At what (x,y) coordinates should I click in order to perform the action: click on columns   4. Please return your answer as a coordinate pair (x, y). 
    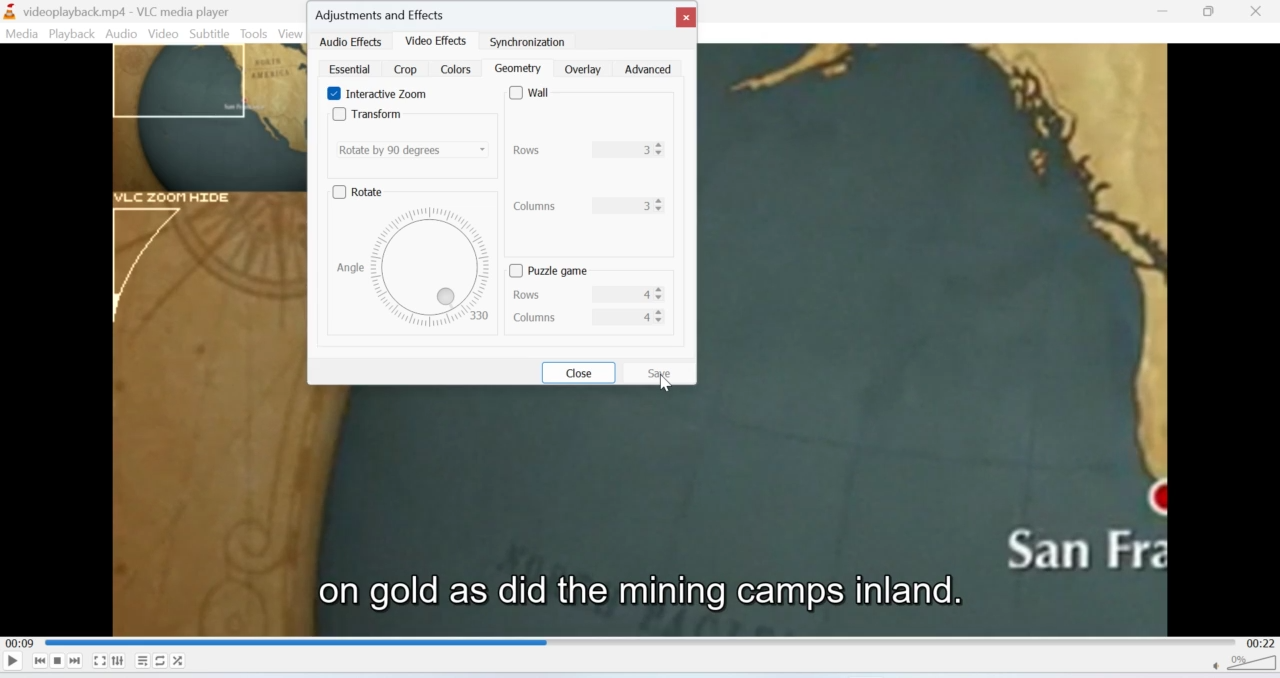
    Looking at the image, I should click on (583, 318).